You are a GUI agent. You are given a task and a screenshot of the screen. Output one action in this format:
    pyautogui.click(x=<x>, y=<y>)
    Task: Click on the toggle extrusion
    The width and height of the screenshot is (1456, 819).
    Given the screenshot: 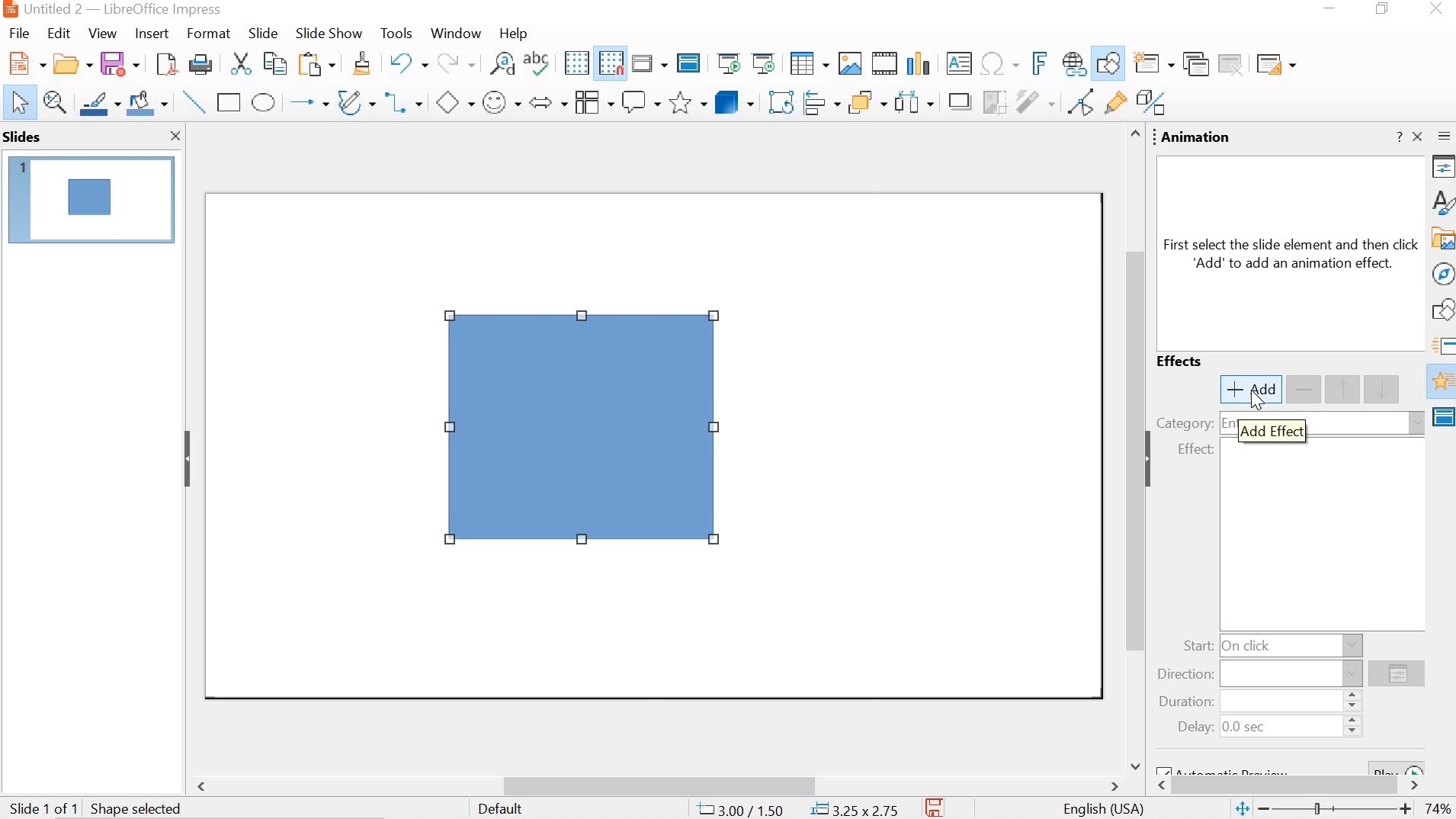 What is the action you would take?
    pyautogui.click(x=1153, y=103)
    